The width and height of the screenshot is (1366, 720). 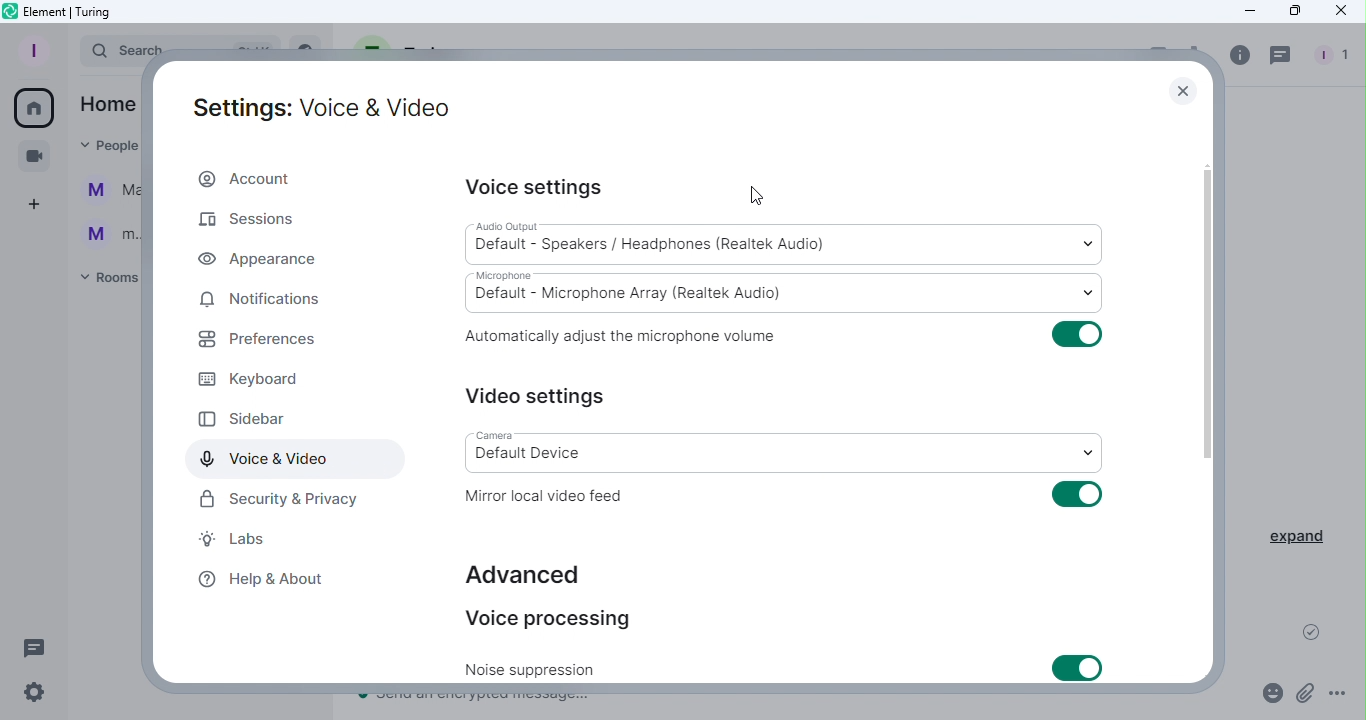 I want to click on Room info, so click(x=1238, y=57).